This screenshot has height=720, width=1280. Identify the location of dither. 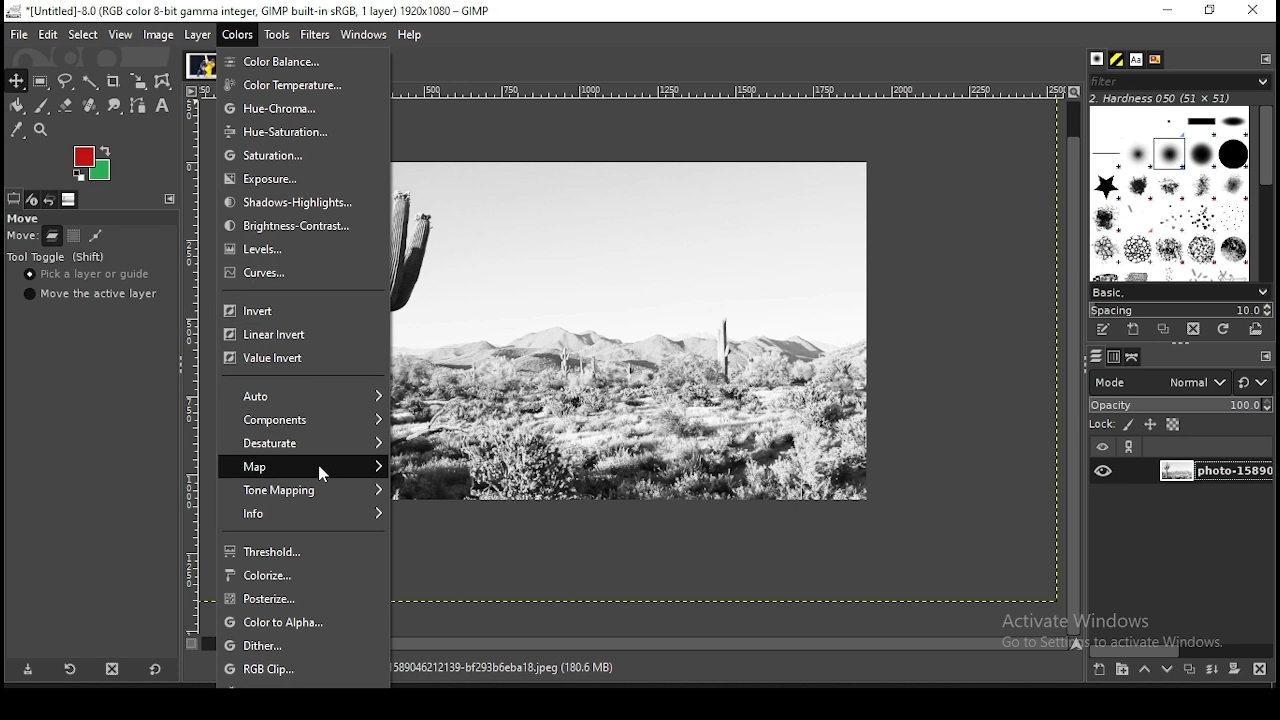
(304, 646).